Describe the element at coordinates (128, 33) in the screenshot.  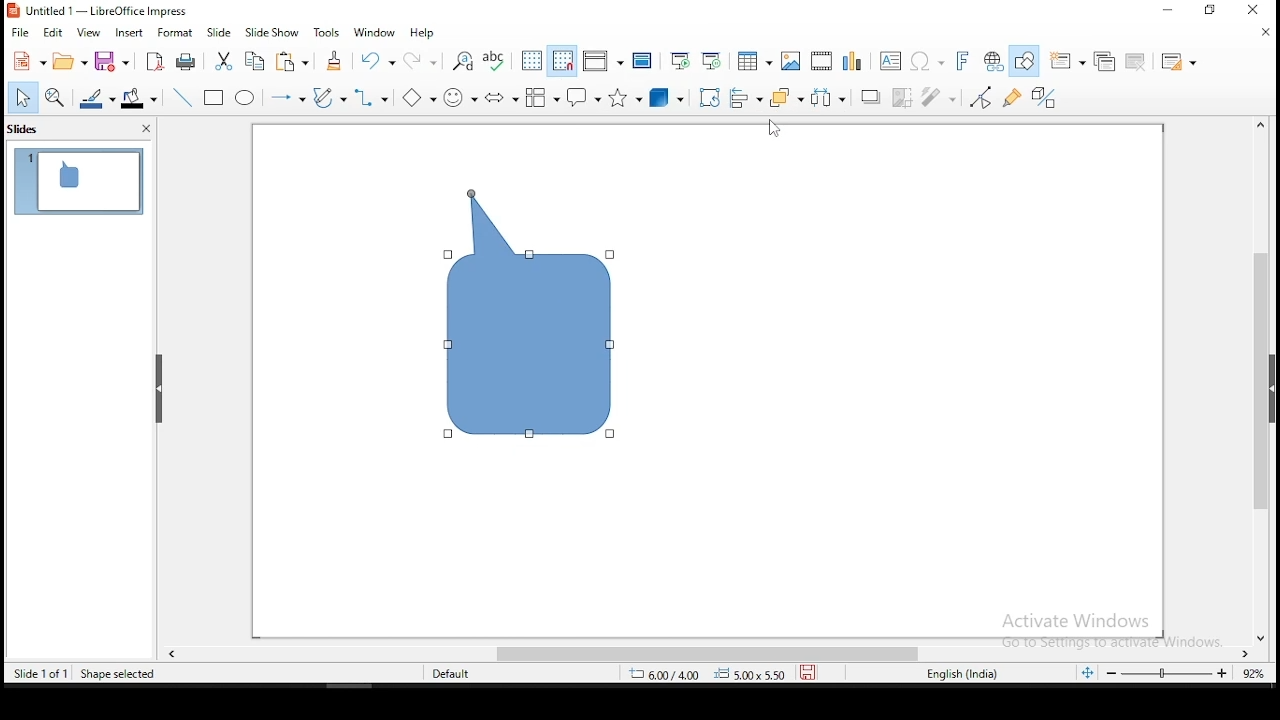
I see `insert` at that location.